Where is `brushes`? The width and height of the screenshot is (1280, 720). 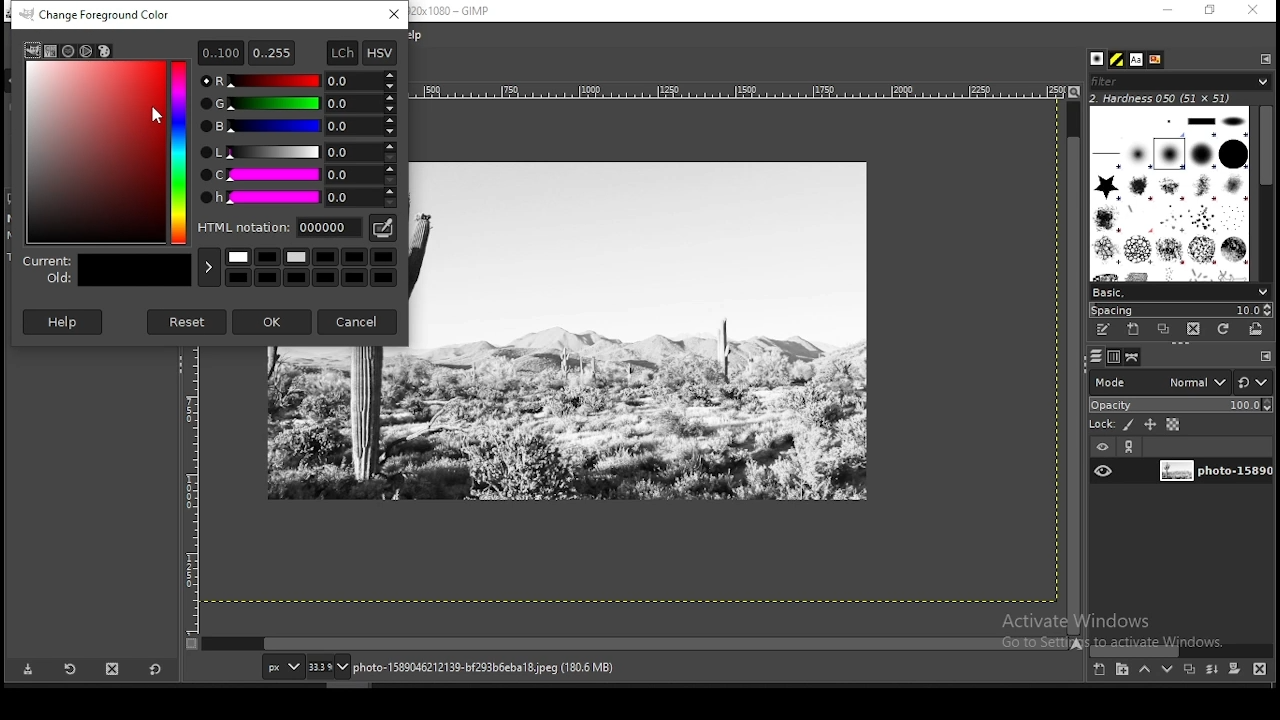 brushes is located at coordinates (1171, 193).